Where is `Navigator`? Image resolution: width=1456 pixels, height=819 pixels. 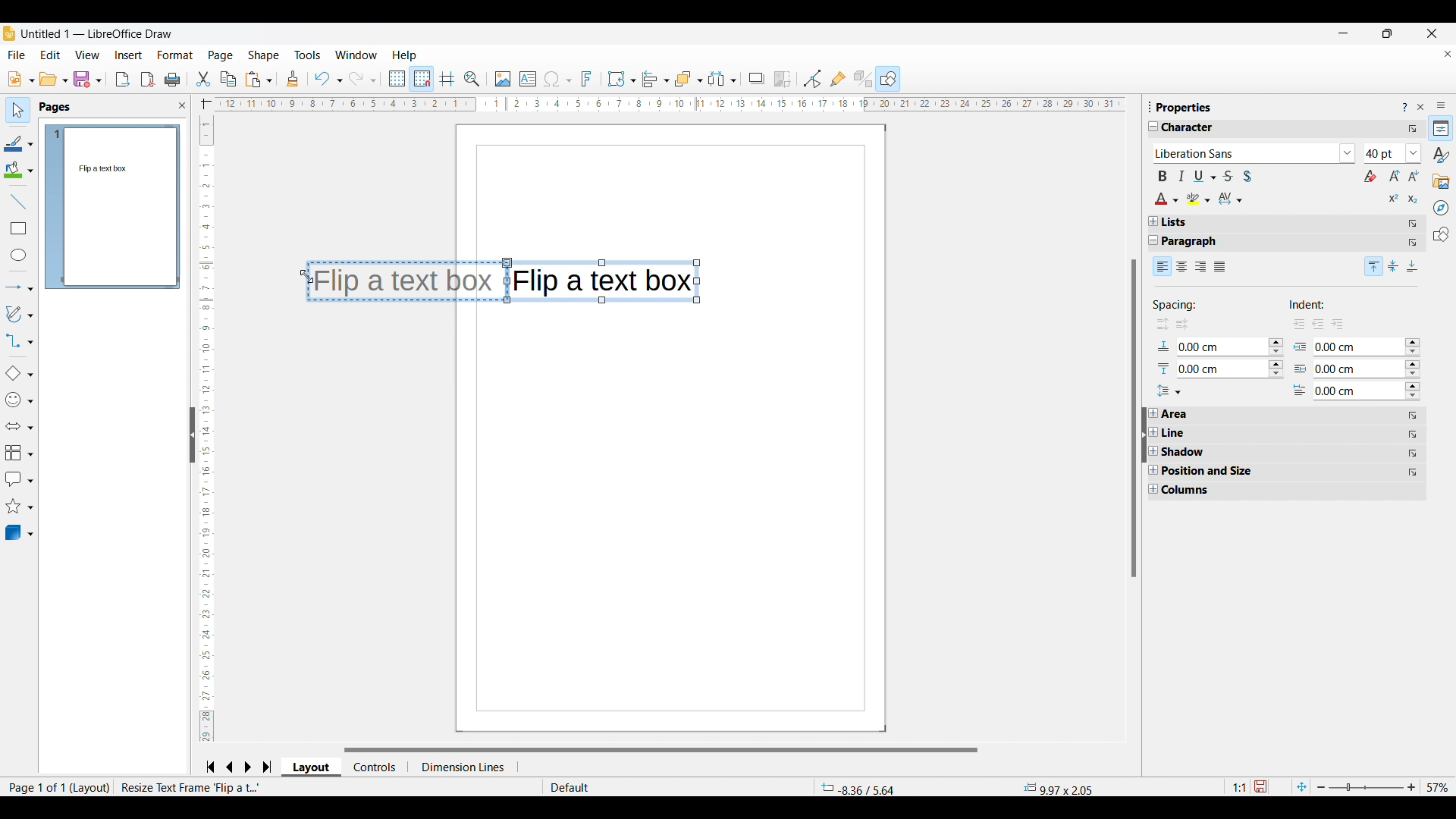
Navigator is located at coordinates (1441, 208).